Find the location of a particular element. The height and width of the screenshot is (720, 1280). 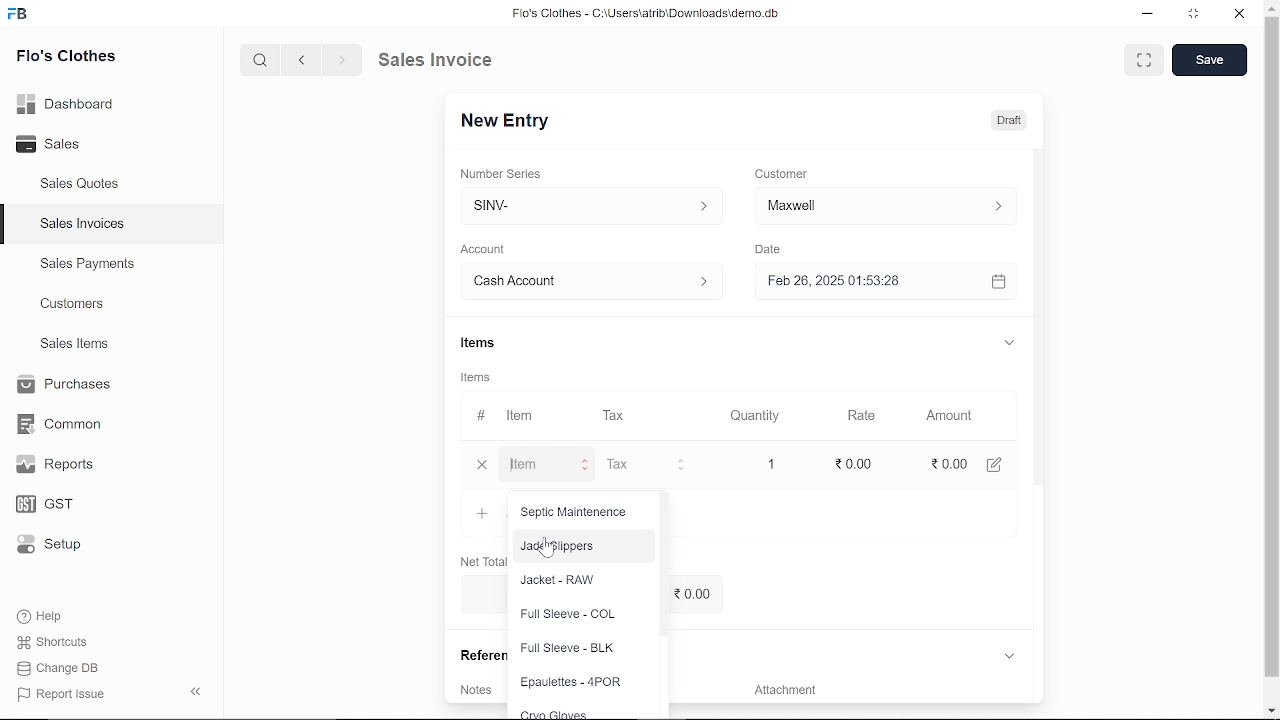

New Entry is located at coordinates (521, 121).